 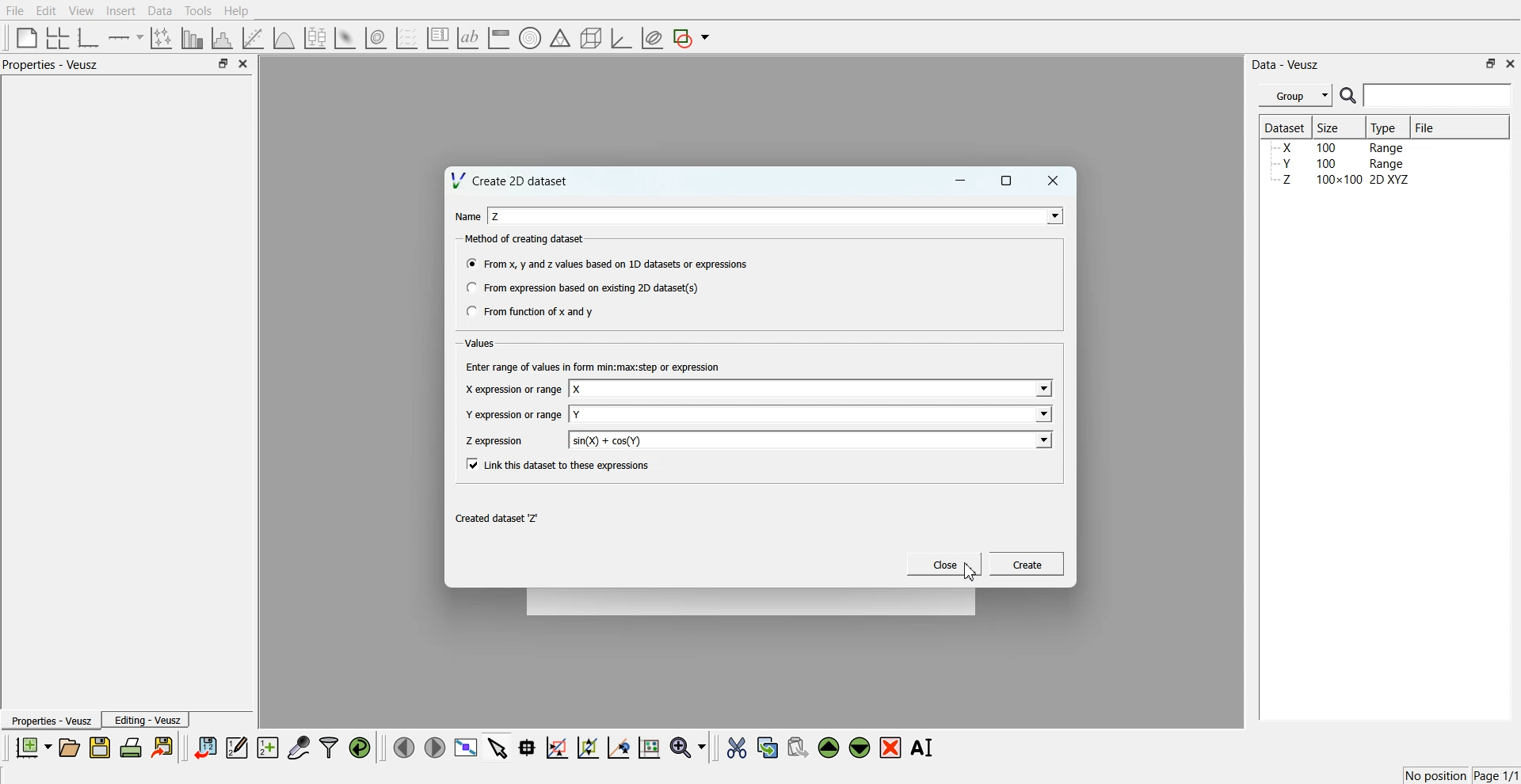 What do you see at coordinates (435, 746) in the screenshot?
I see `Move to the next page` at bounding box center [435, 746].